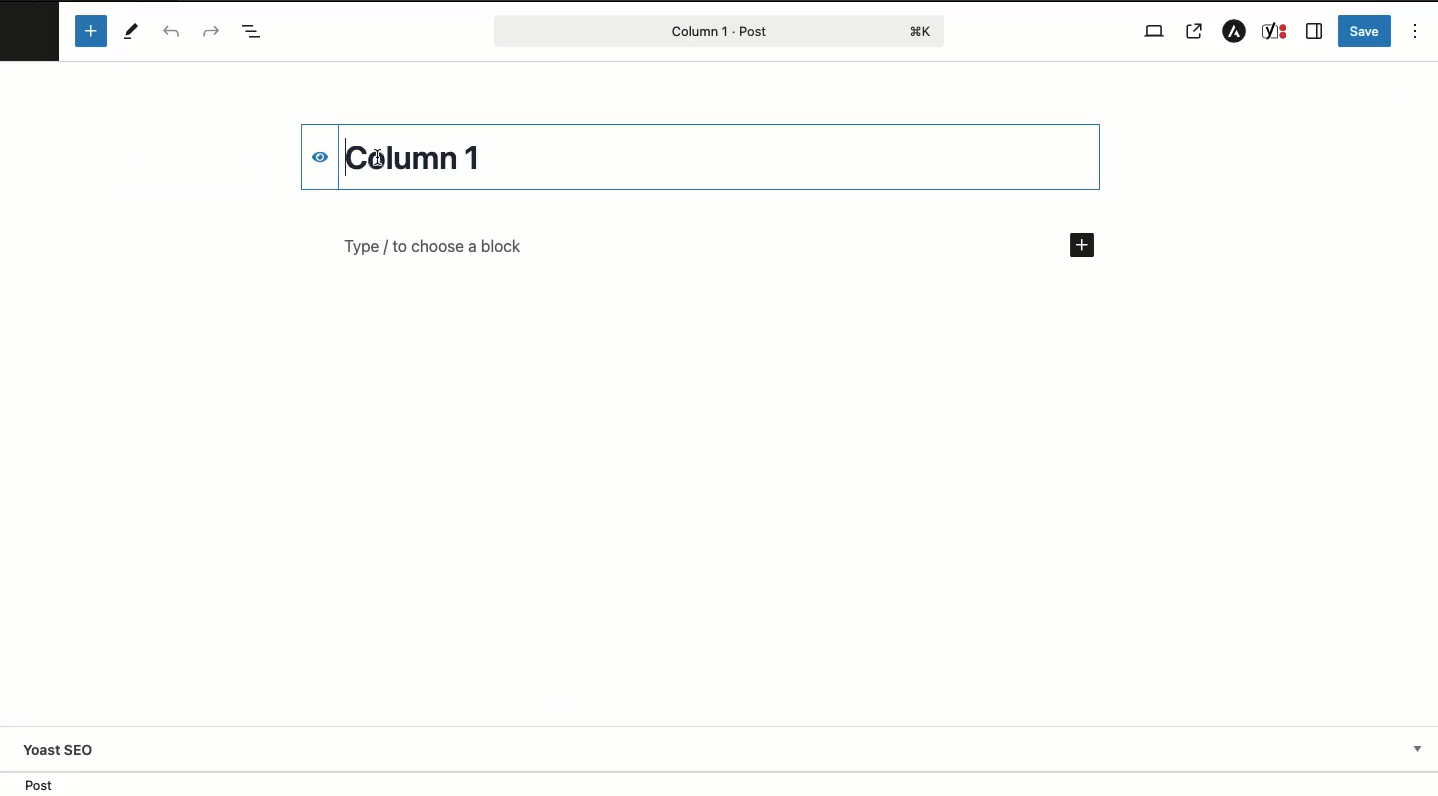  Describe the element at coordinates (378, 157) in the screenshot. I see `Cursor` at that location.